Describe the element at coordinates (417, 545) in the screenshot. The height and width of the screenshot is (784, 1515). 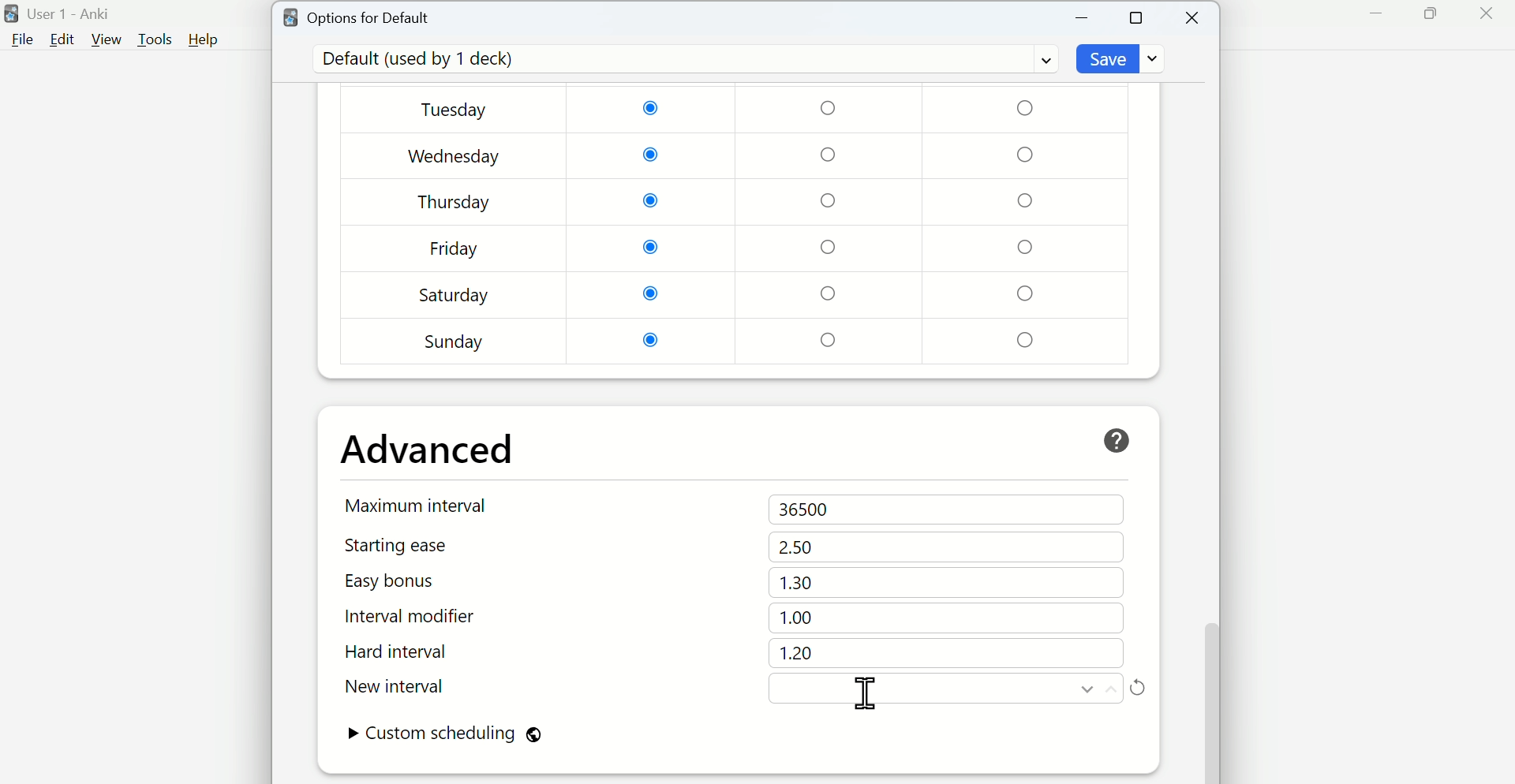
I see `Starting ease` at that location.